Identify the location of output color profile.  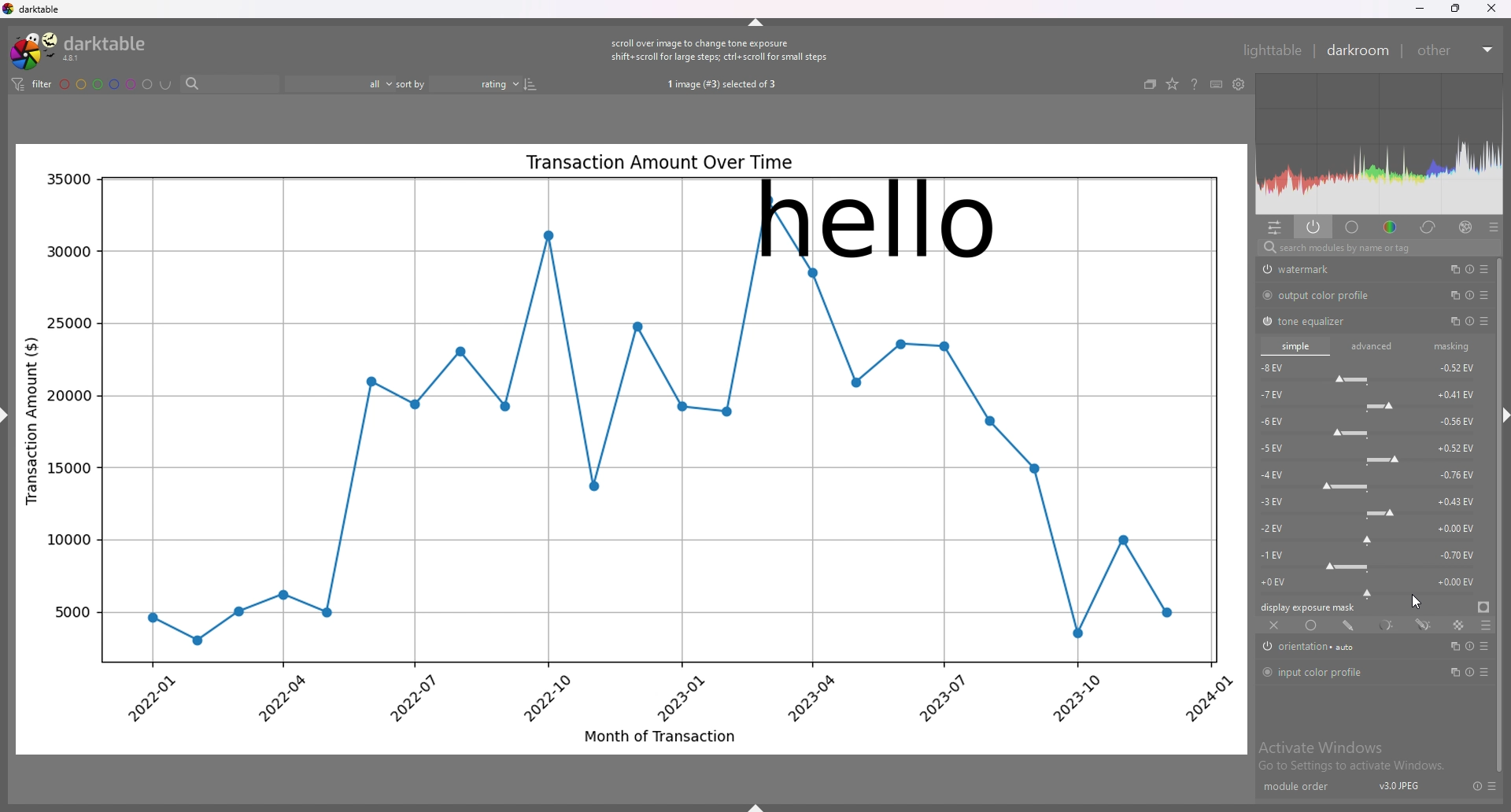
(1329, 297).